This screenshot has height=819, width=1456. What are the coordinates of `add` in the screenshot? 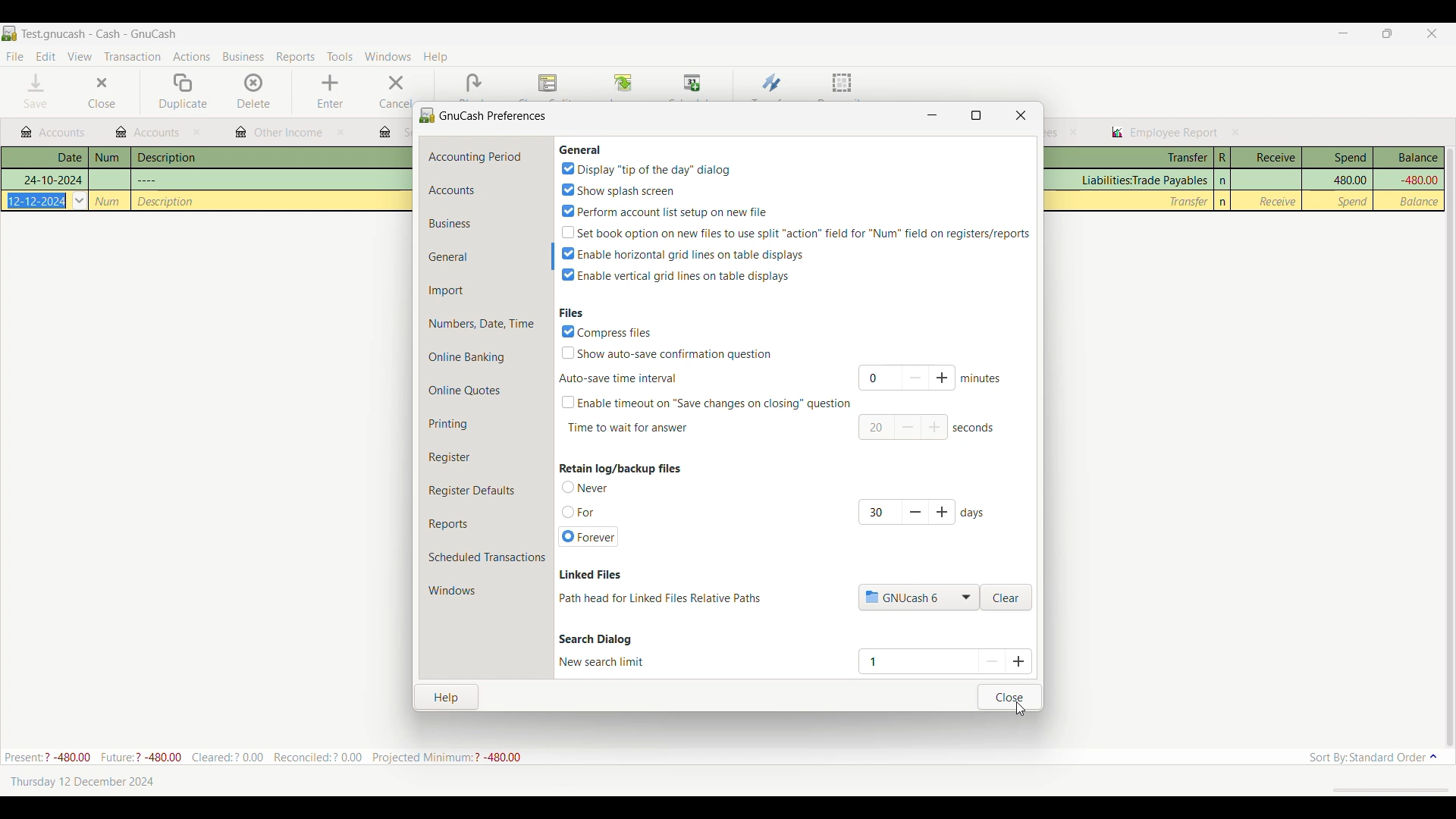 It's located at (936, 428).